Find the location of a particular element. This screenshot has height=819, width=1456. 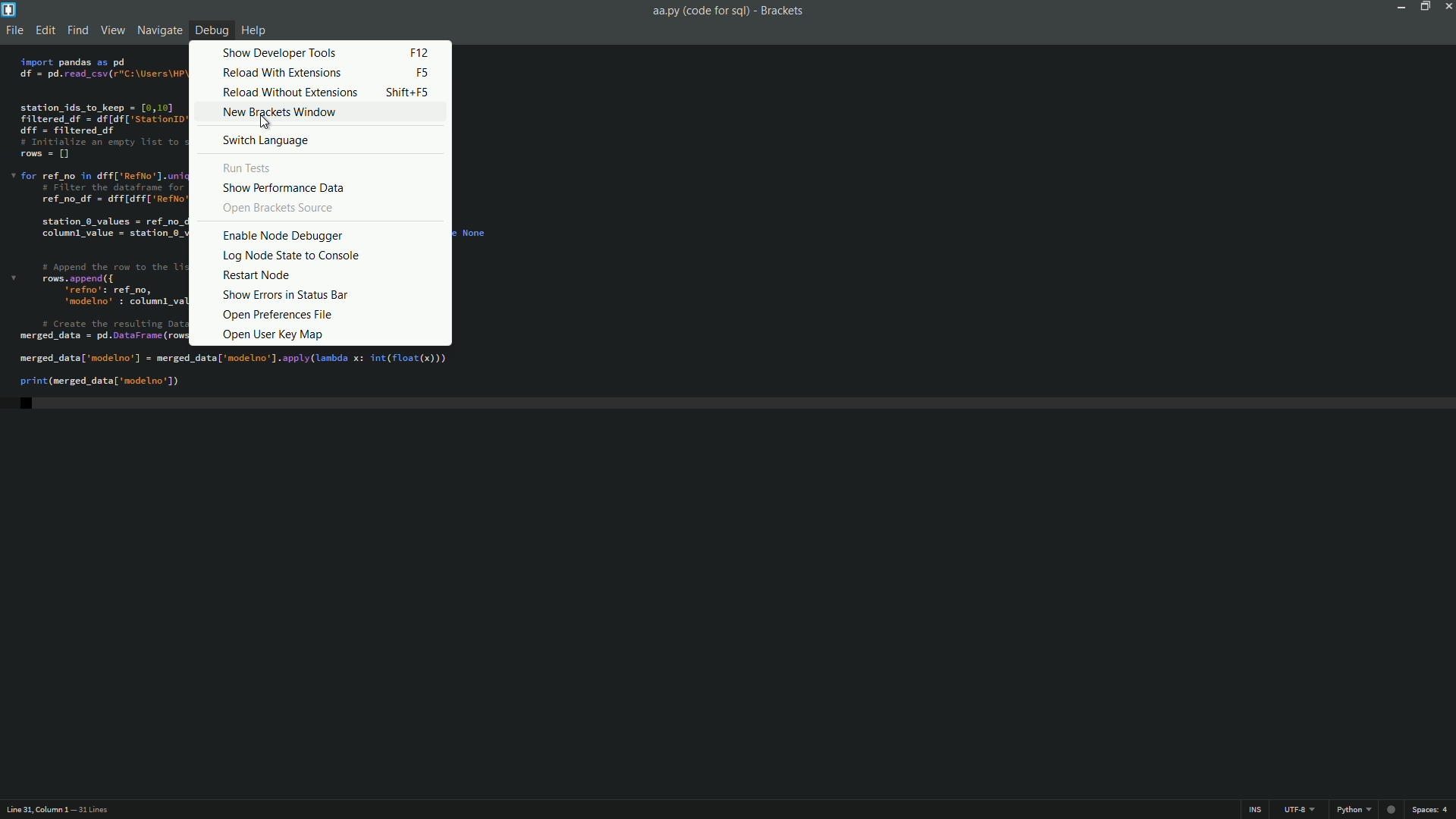

Reload without extensions is located at coordinates (290, 93).